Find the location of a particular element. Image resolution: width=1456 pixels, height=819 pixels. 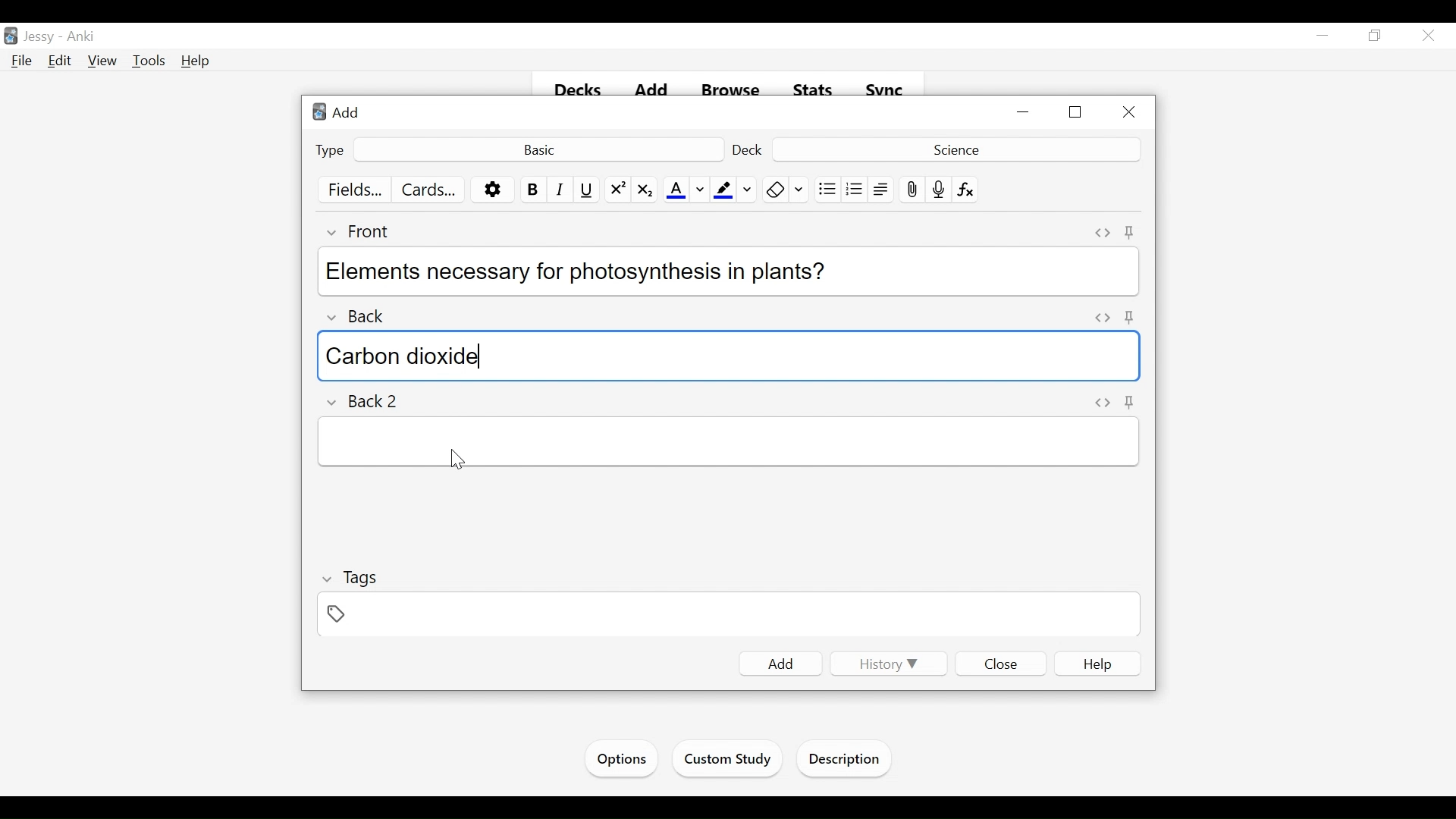

Customize Cards Template is located at coordinates (429, 190).